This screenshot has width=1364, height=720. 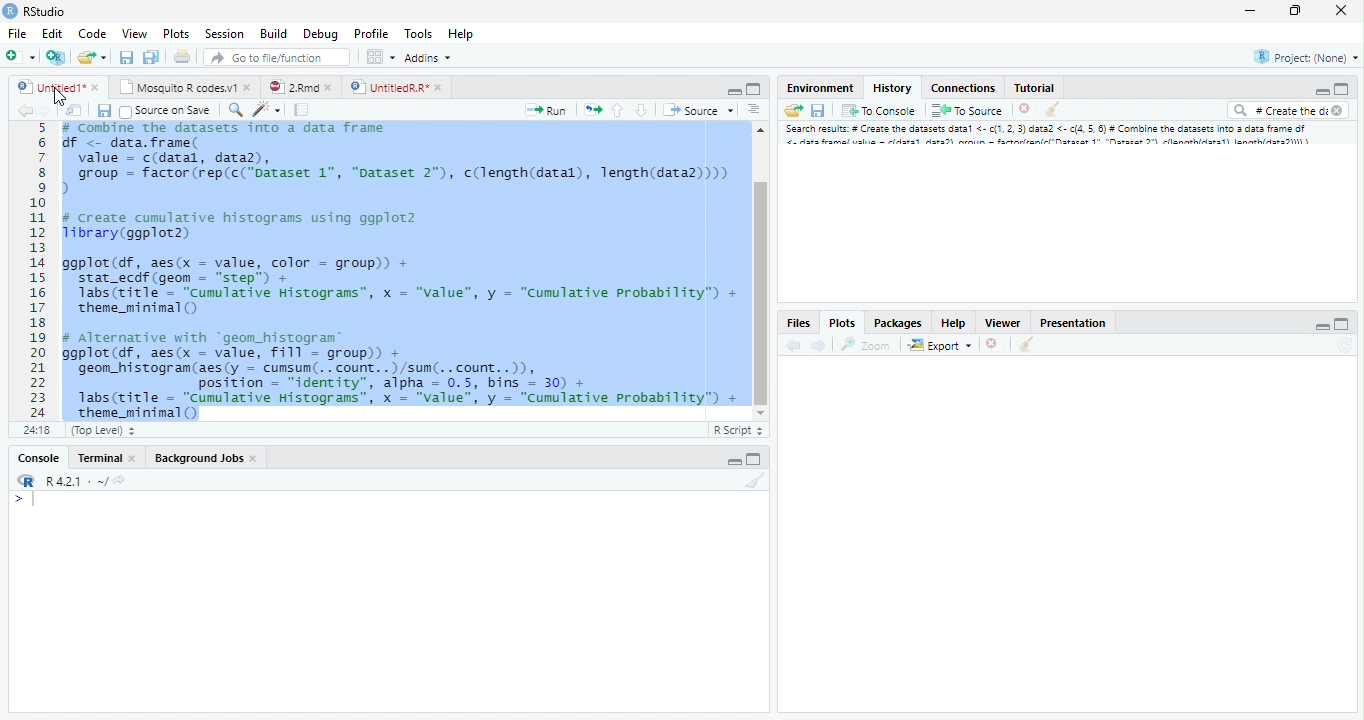 I want to click on Top level, so click(x=105, y=428).